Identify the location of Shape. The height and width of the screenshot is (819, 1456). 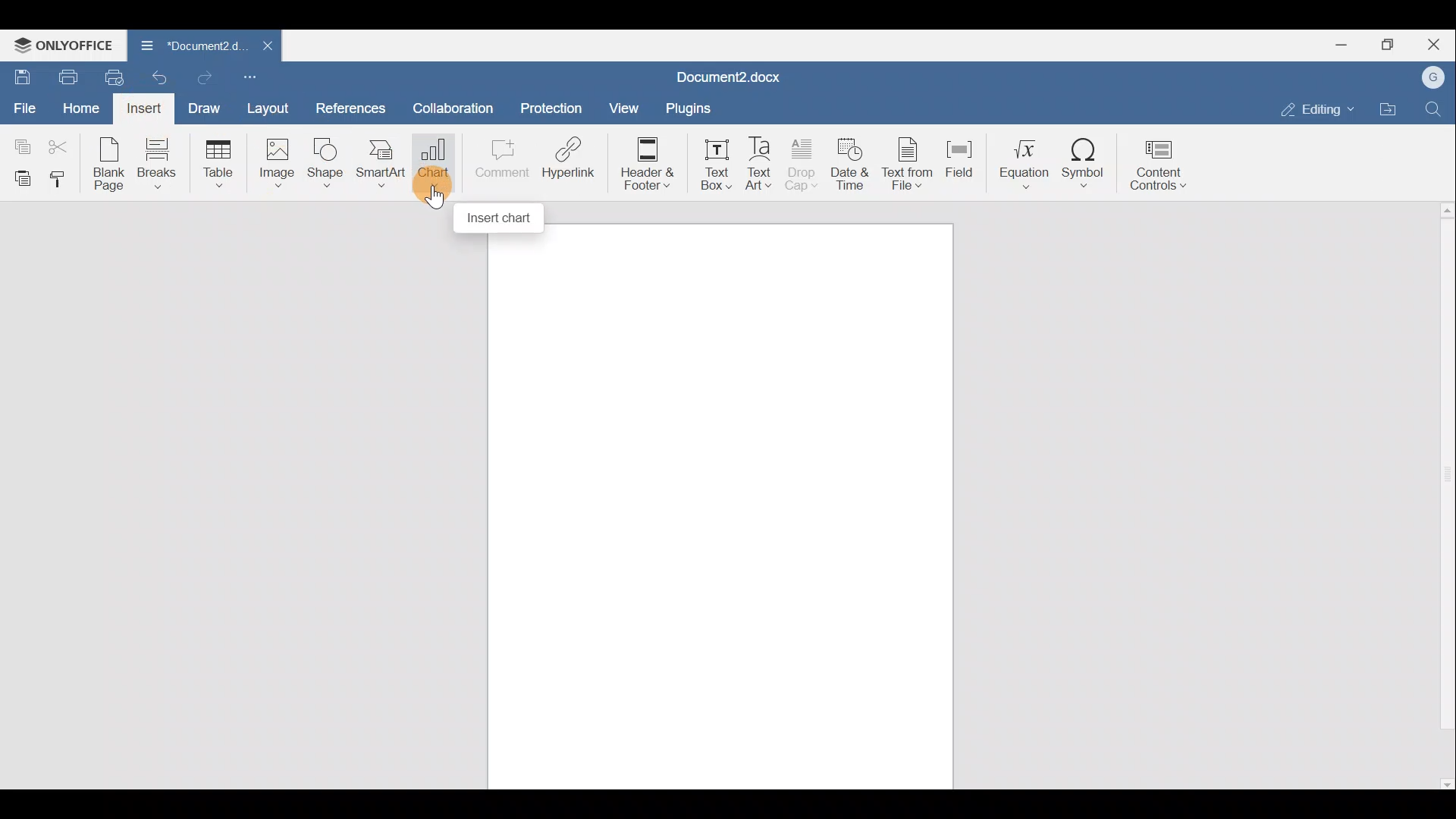
(324, 162).